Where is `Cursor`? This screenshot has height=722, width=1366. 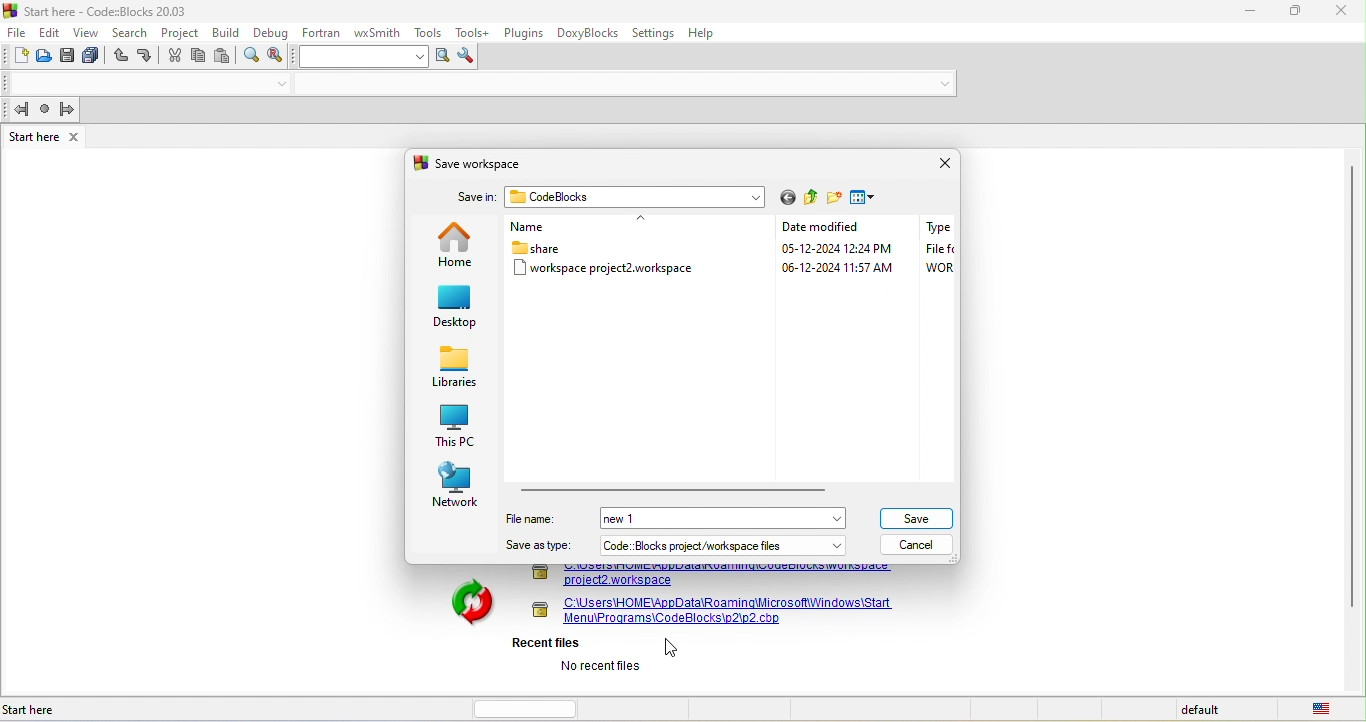 Cursor is located at coordinates (675, 648).